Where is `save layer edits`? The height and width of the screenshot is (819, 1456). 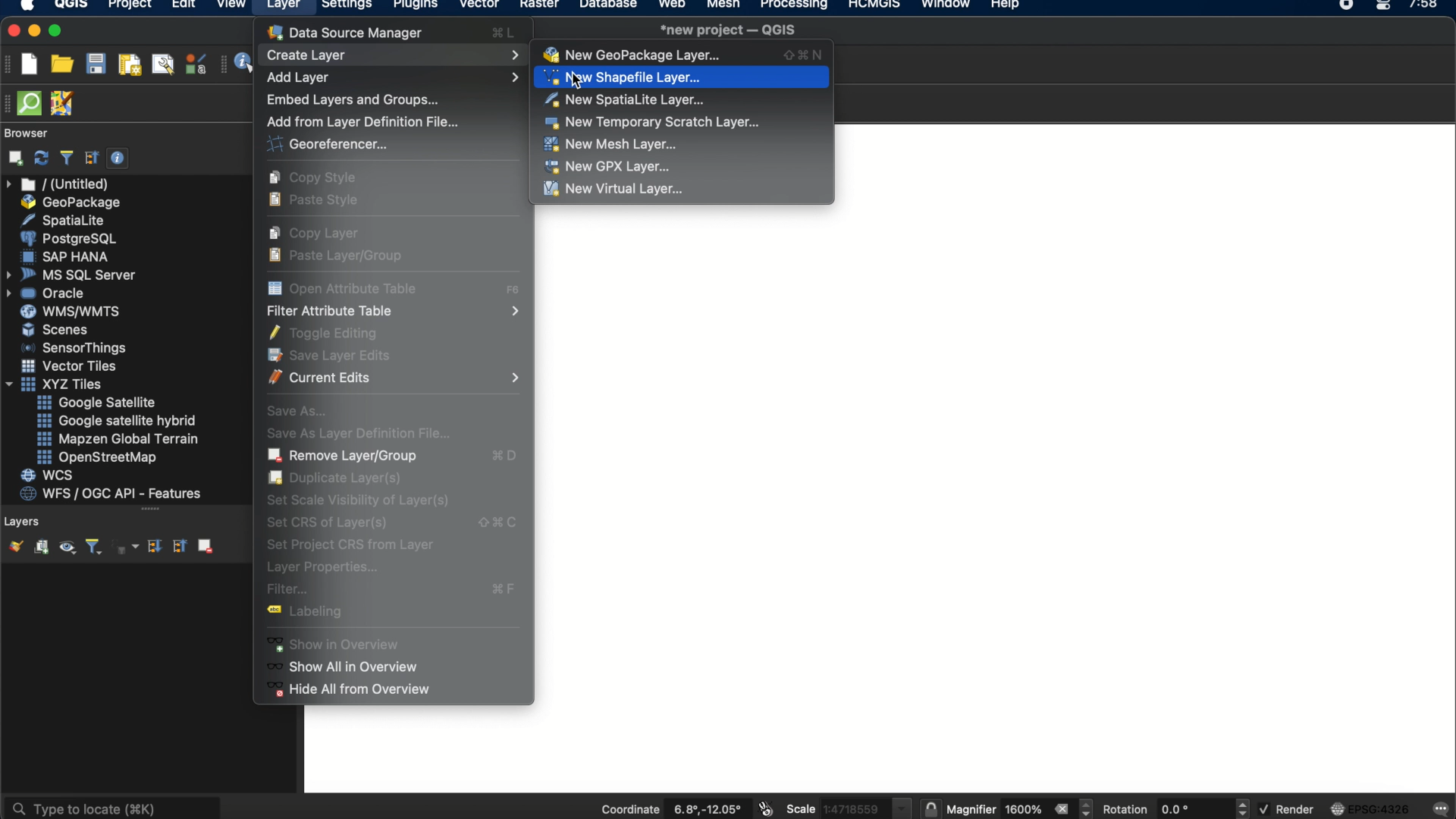
save layer edits is located at coordinates (329, 355).